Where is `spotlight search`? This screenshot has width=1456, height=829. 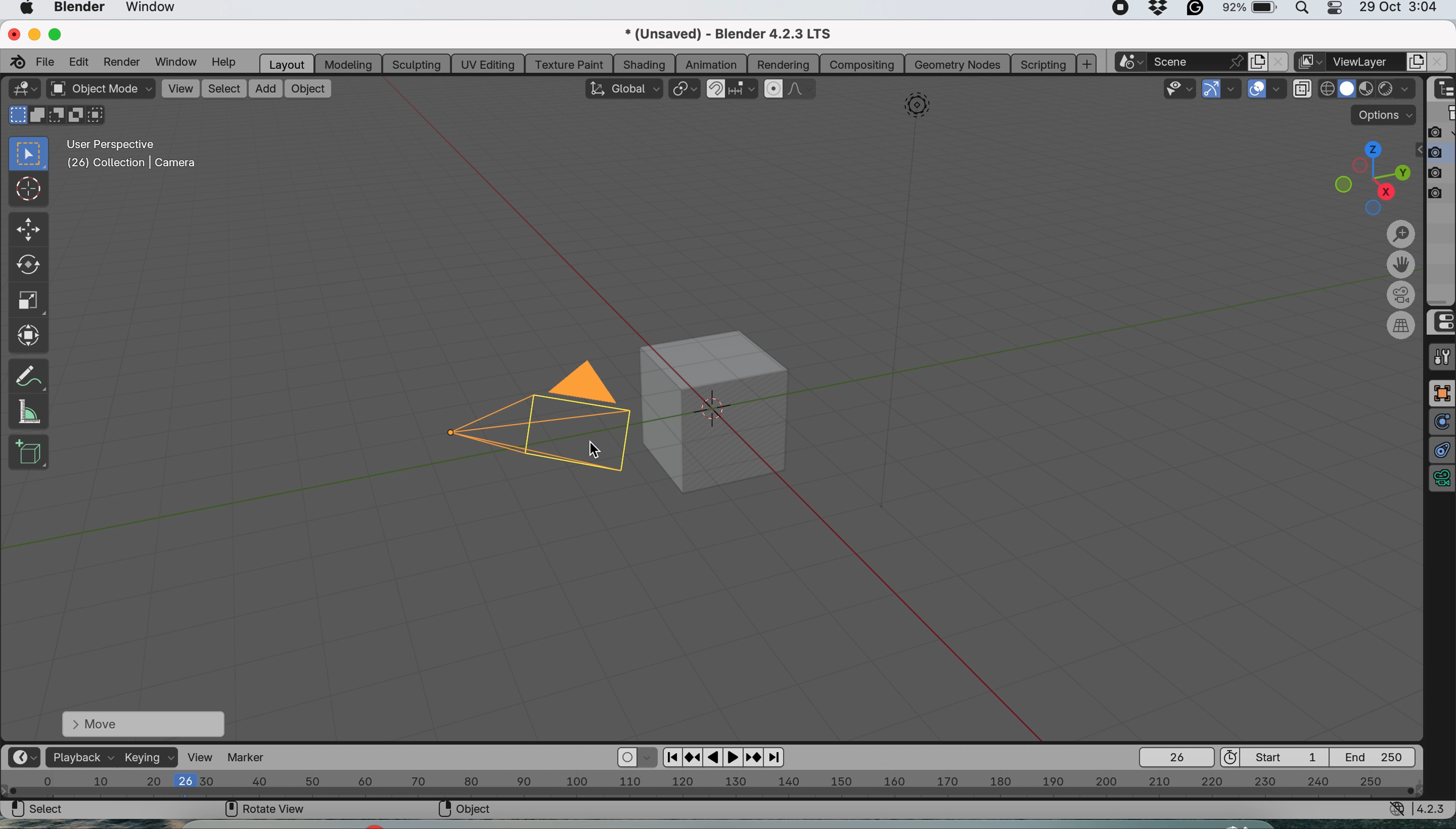
spotlight search is located at coordinates (1305, 11).